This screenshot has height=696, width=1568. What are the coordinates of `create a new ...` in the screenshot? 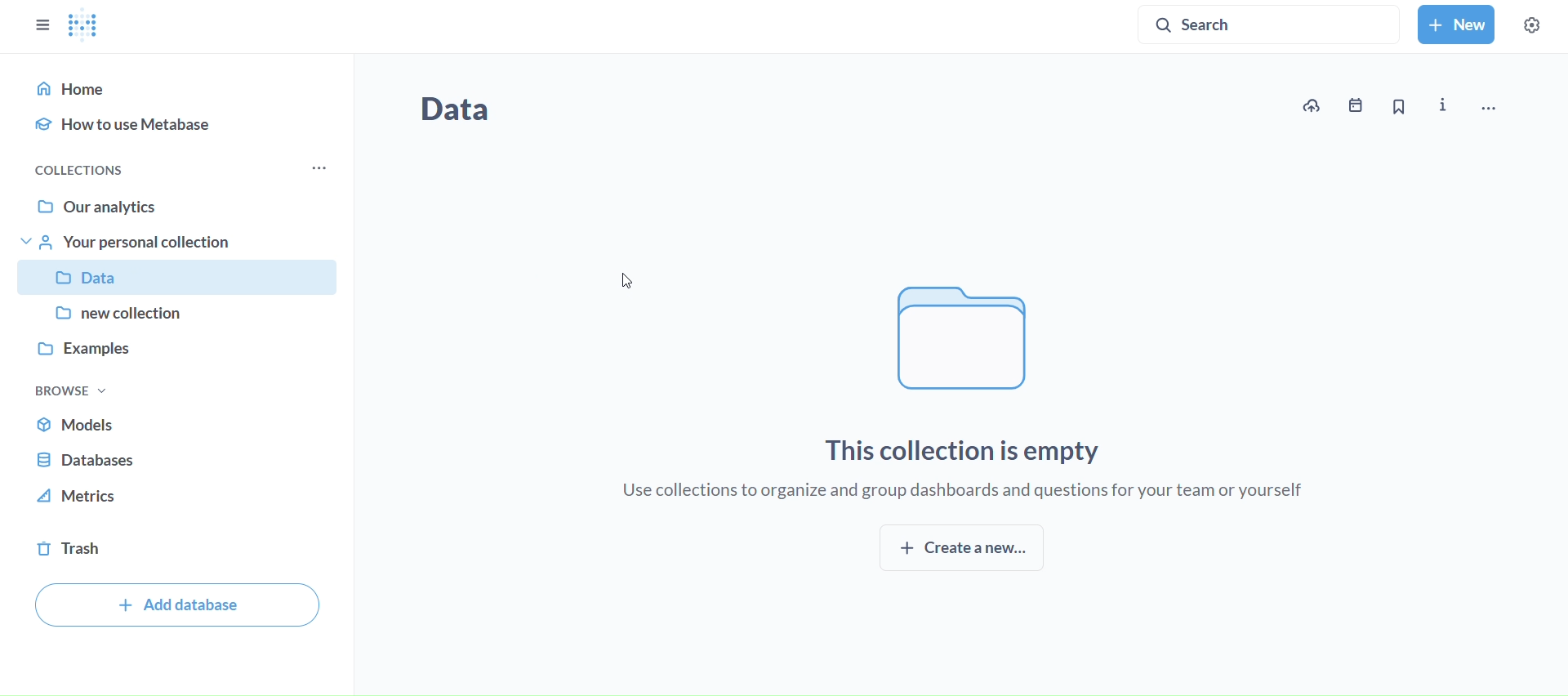 It's located at (962, 547).